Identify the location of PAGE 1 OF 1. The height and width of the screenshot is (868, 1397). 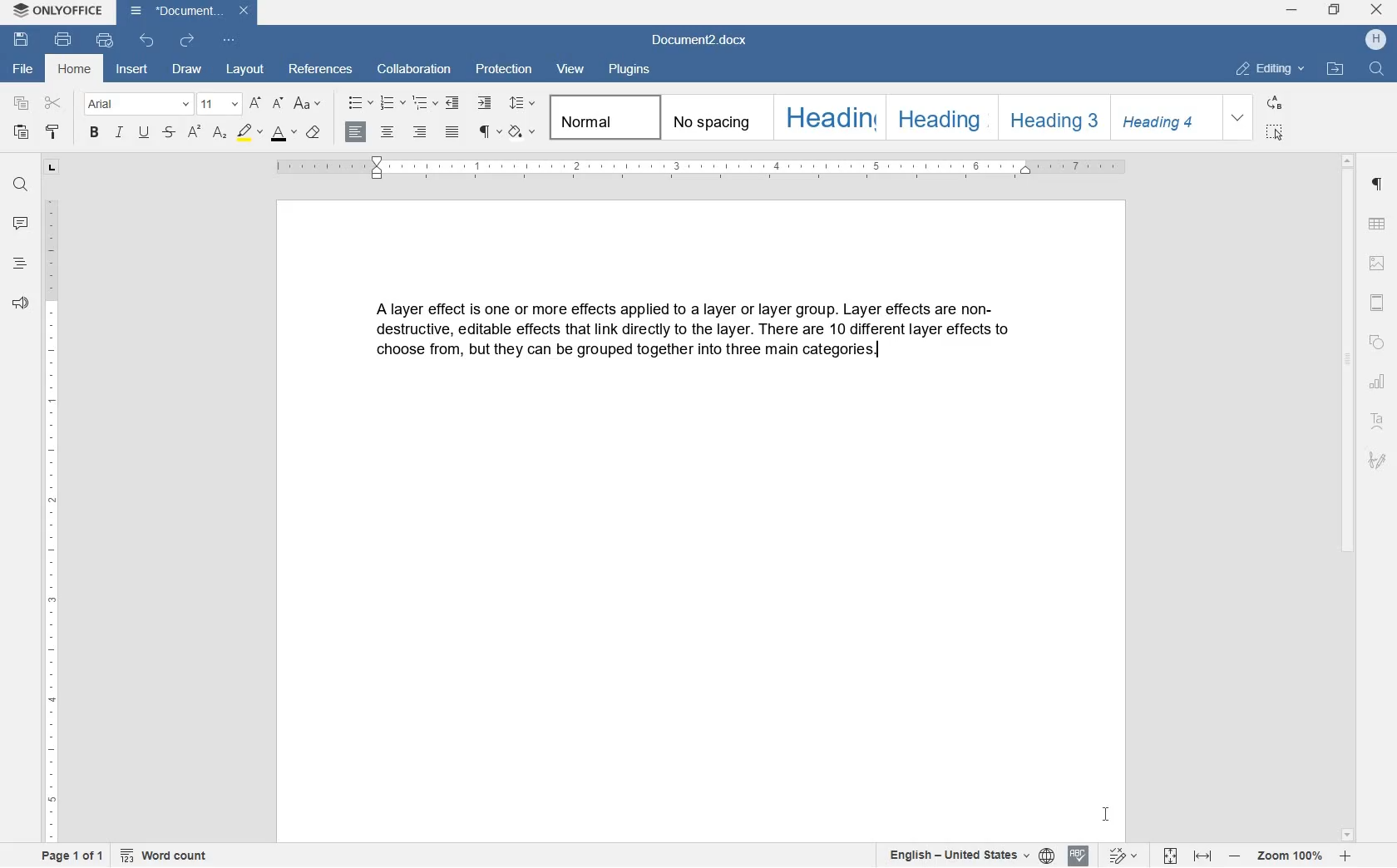
(73, 856).